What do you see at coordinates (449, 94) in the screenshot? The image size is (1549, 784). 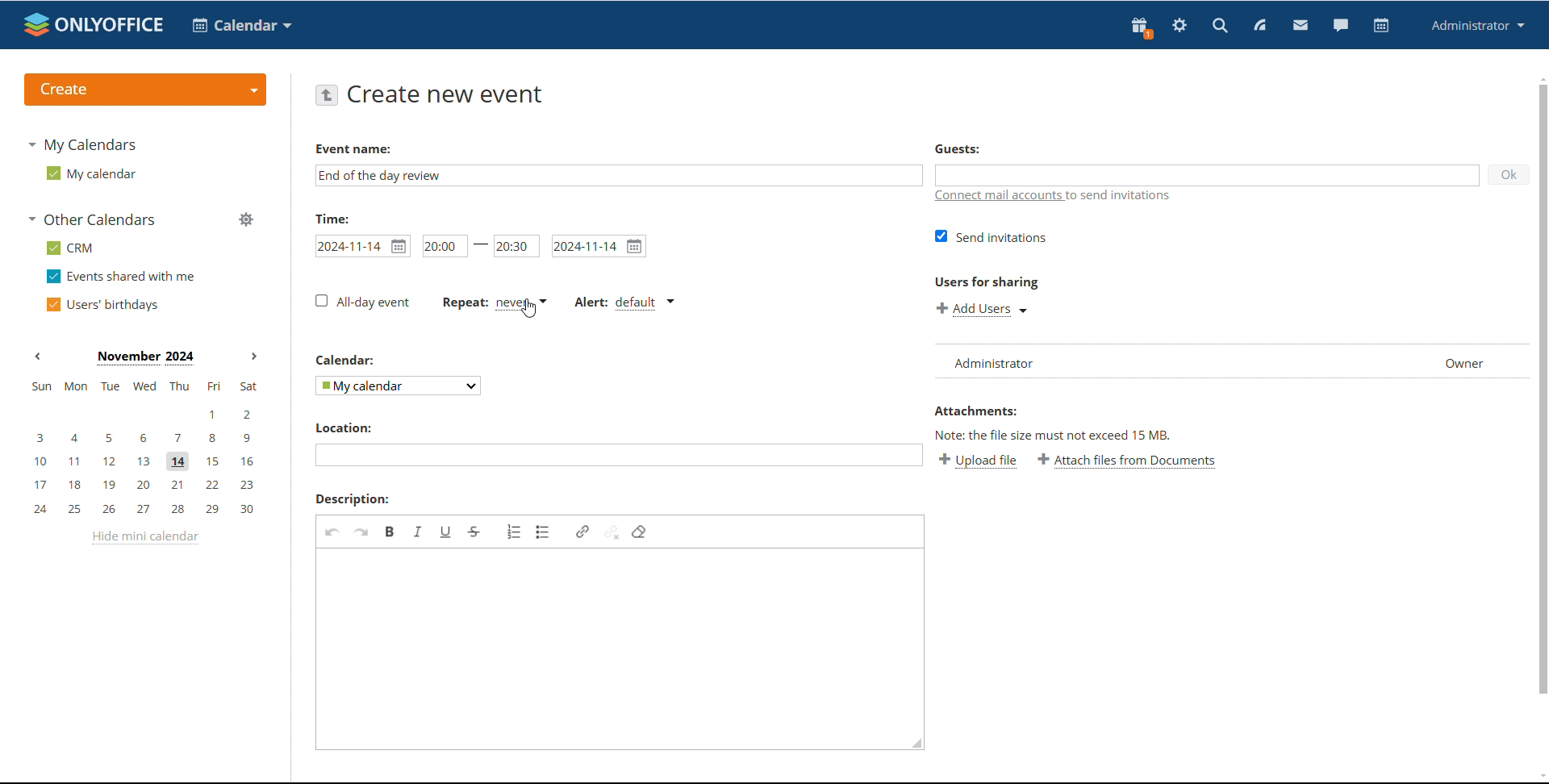 I see `create new event` at bounding box center [449, 94].